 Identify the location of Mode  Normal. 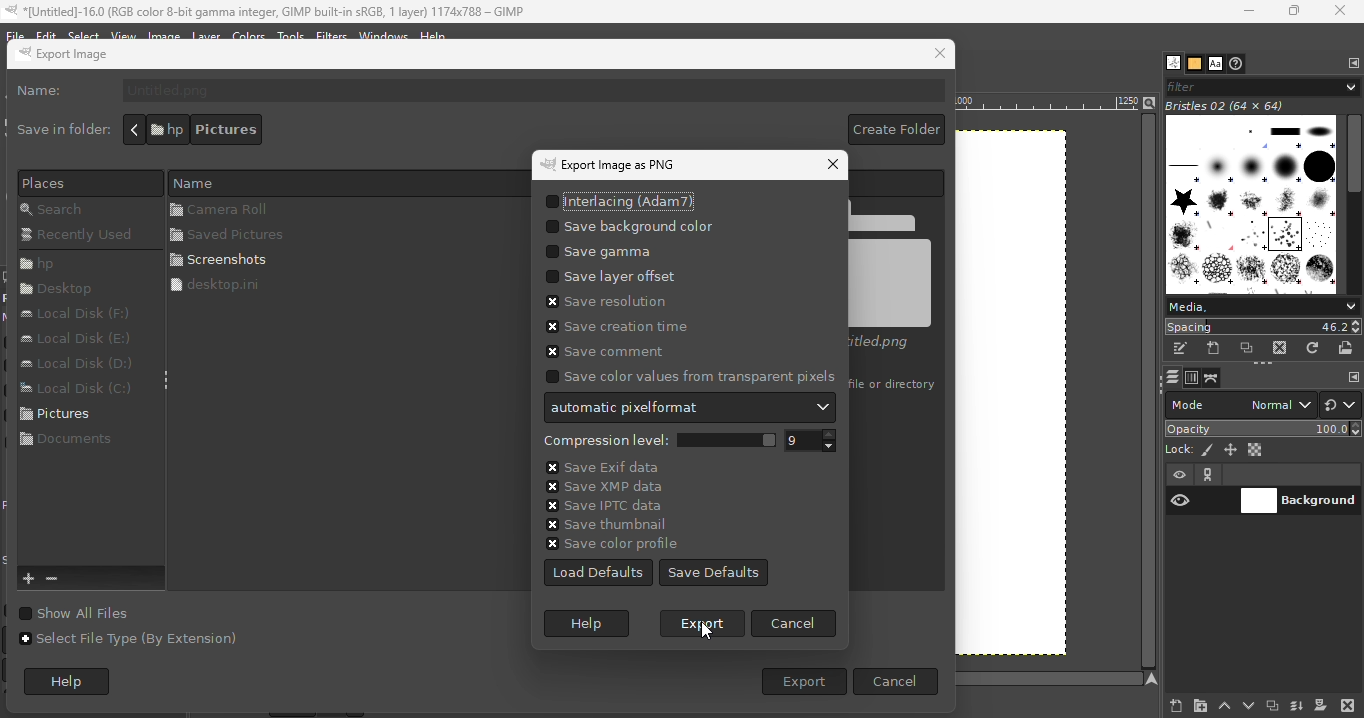
(1240, 403).